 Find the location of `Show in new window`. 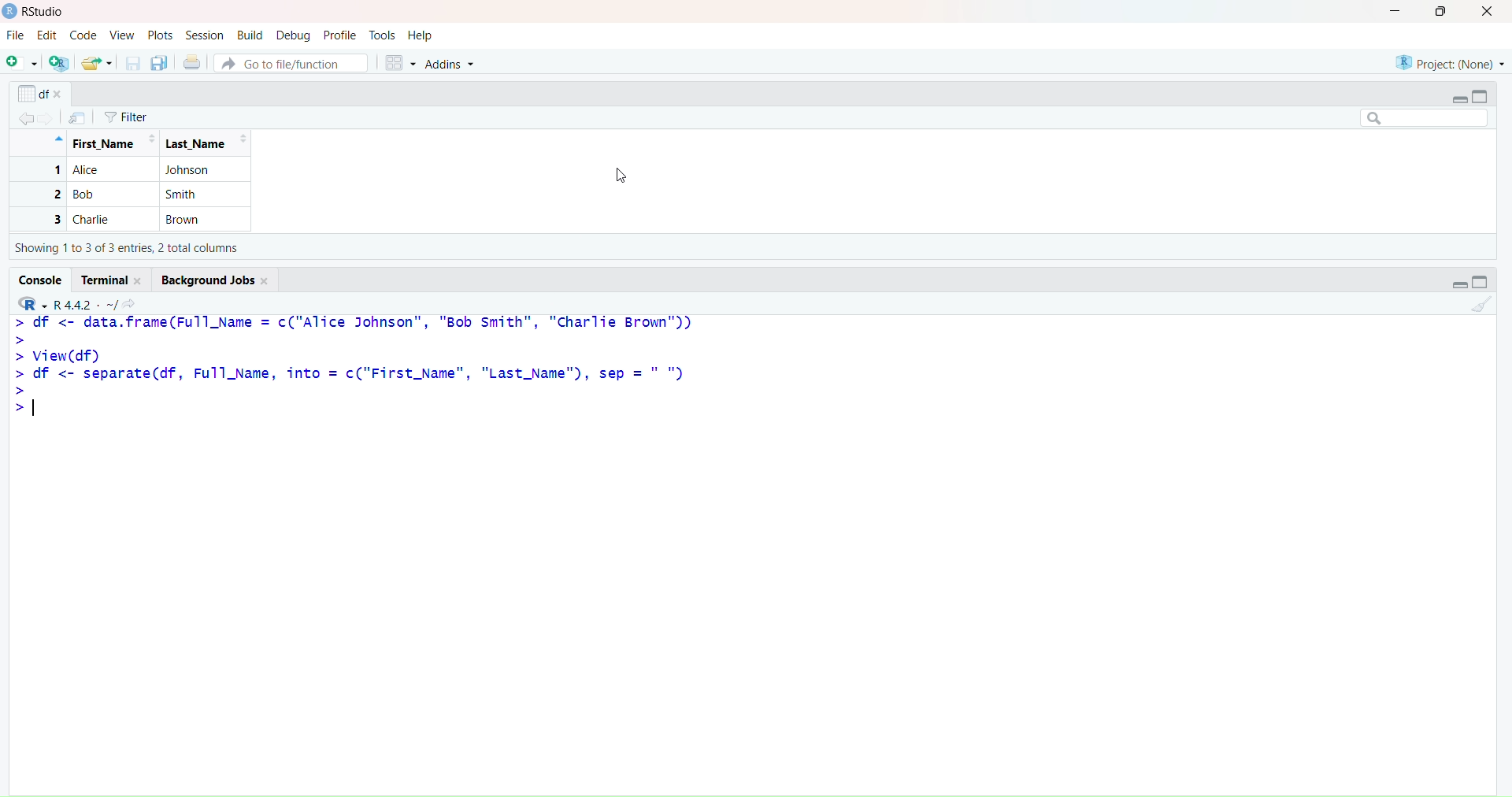

Show in new window is located at coordinates (77, 118).